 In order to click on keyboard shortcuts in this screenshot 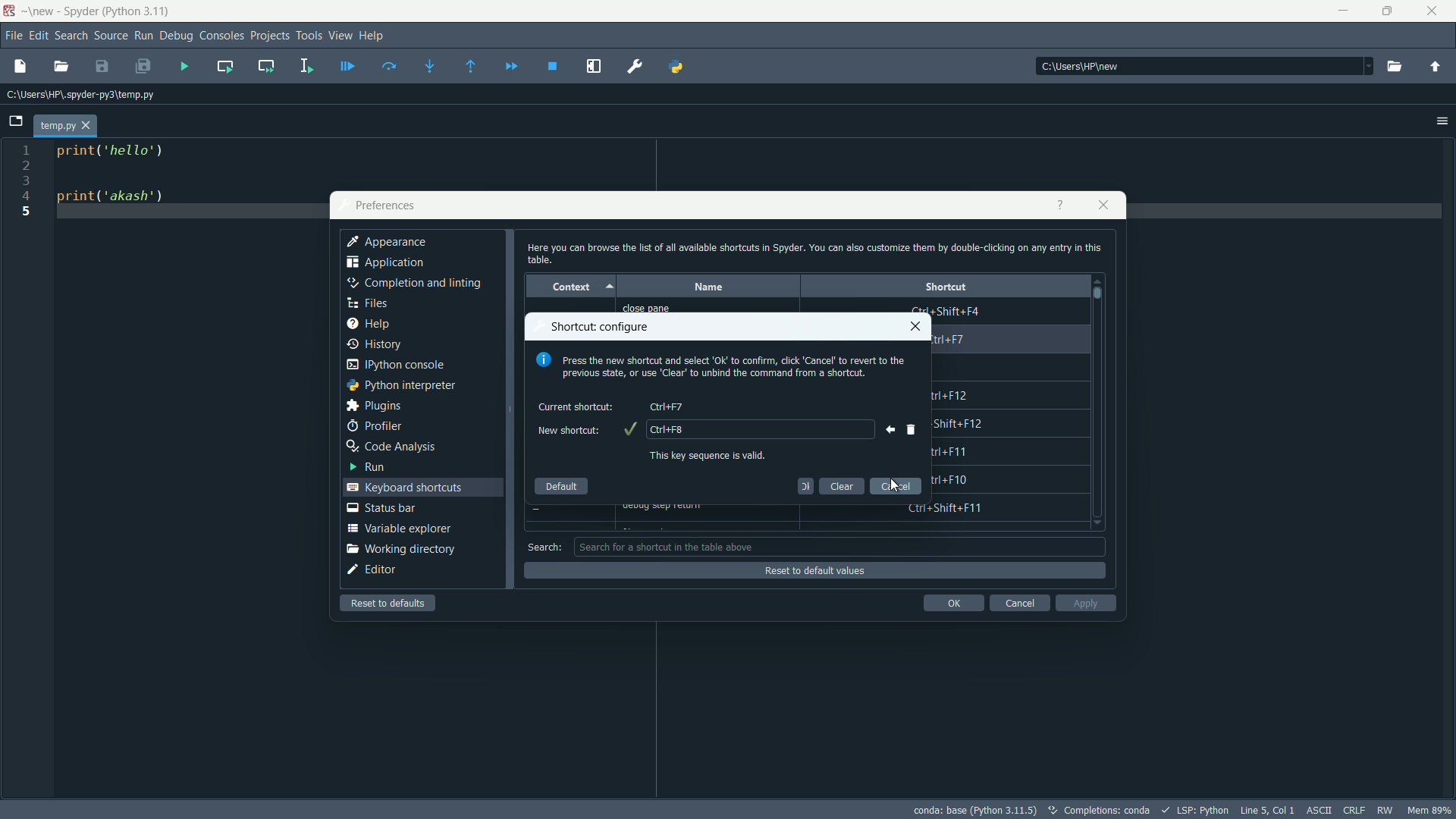, I will do `click(407, 487)`.